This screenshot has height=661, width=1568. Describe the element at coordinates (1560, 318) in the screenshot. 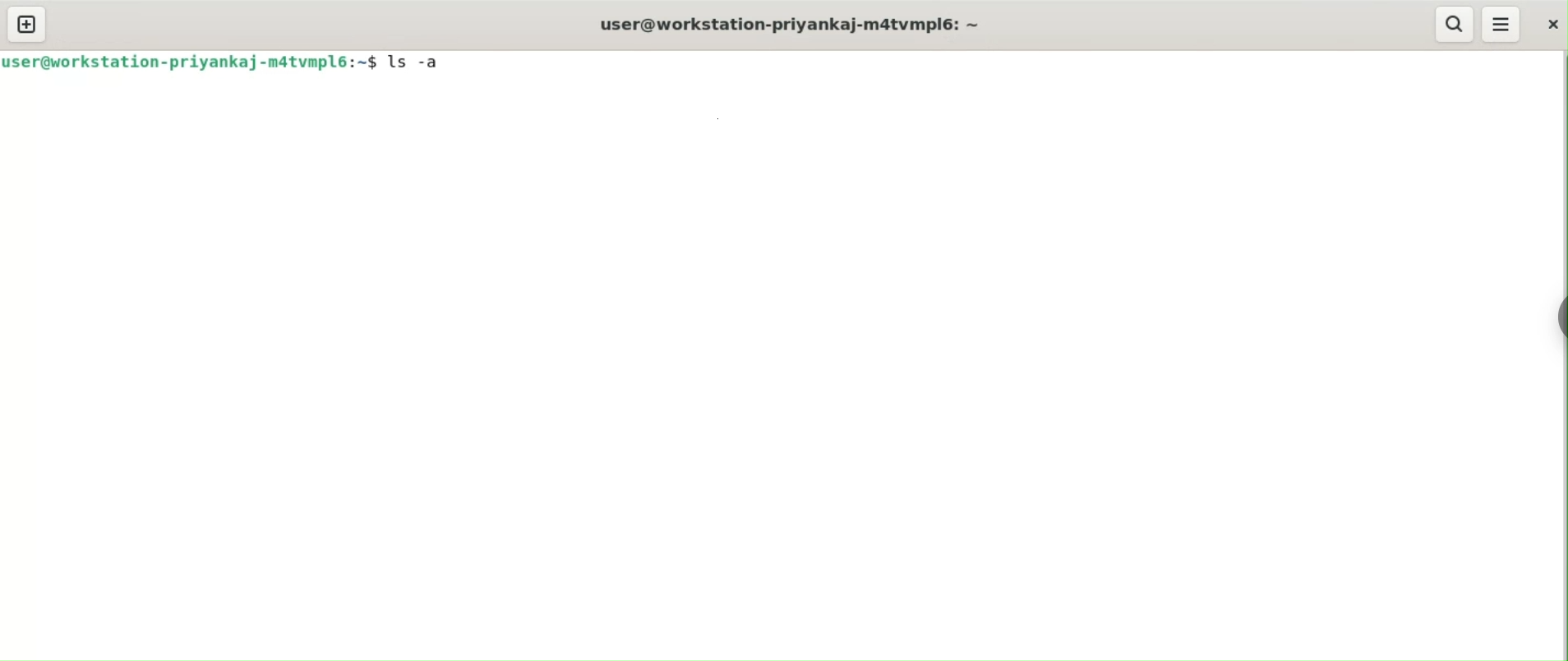

I see `sidebar` at that location.